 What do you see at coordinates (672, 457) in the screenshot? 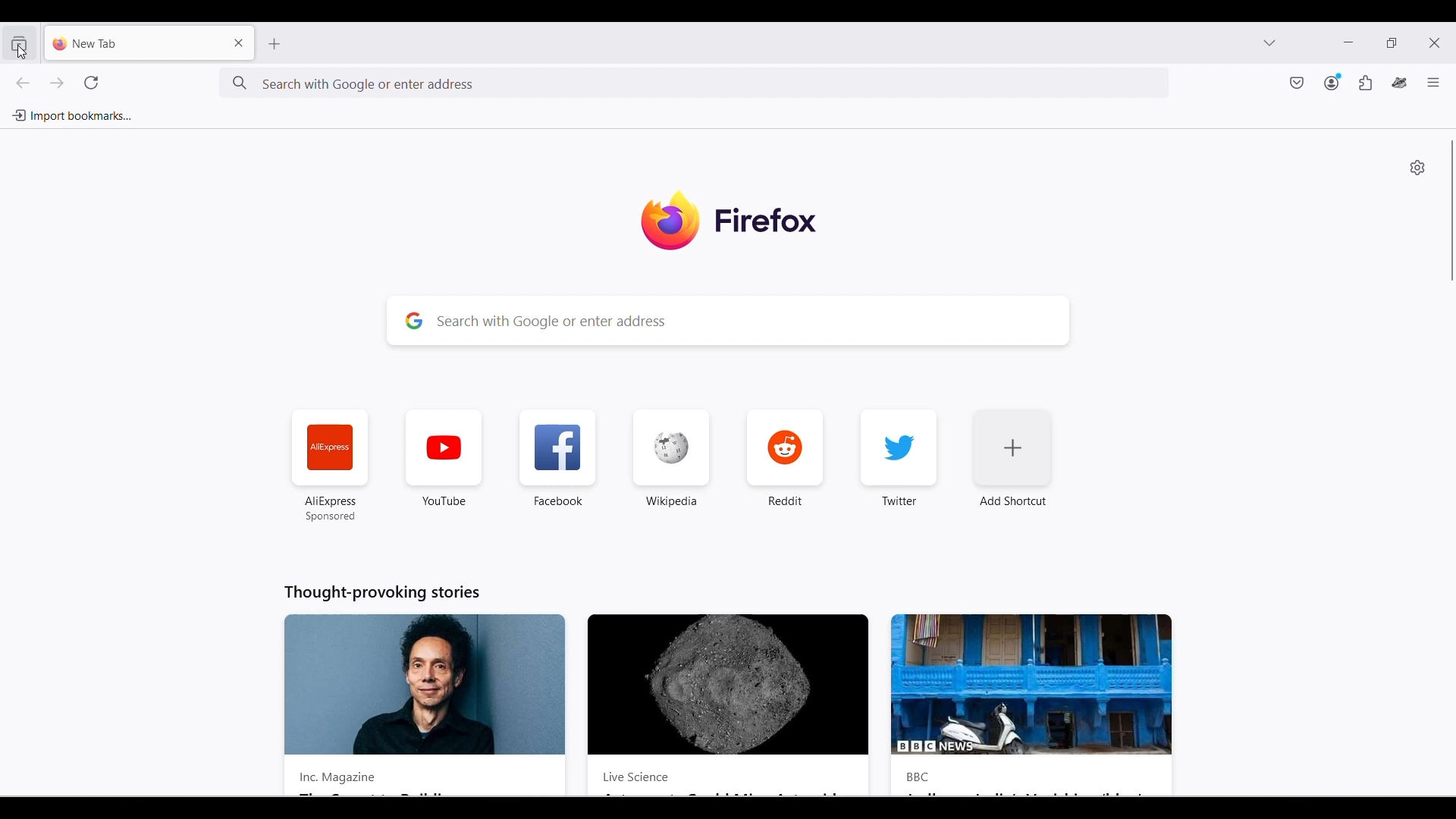
I see `Wikipedia shortcut` at bounding box center [672, 457].